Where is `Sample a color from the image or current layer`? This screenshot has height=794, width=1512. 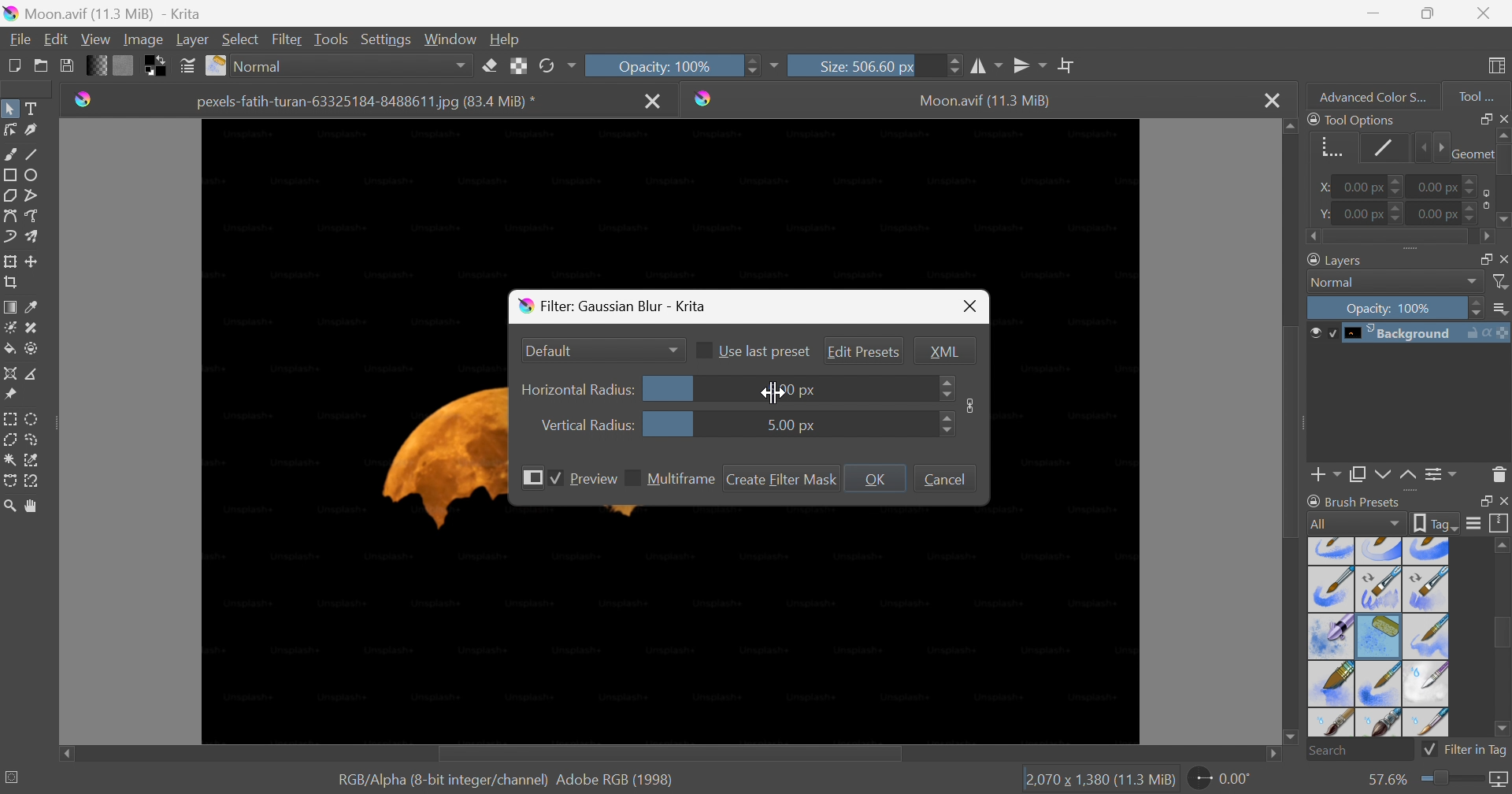
Sample a color from the image or current layer is located at coordinates (31, 304).